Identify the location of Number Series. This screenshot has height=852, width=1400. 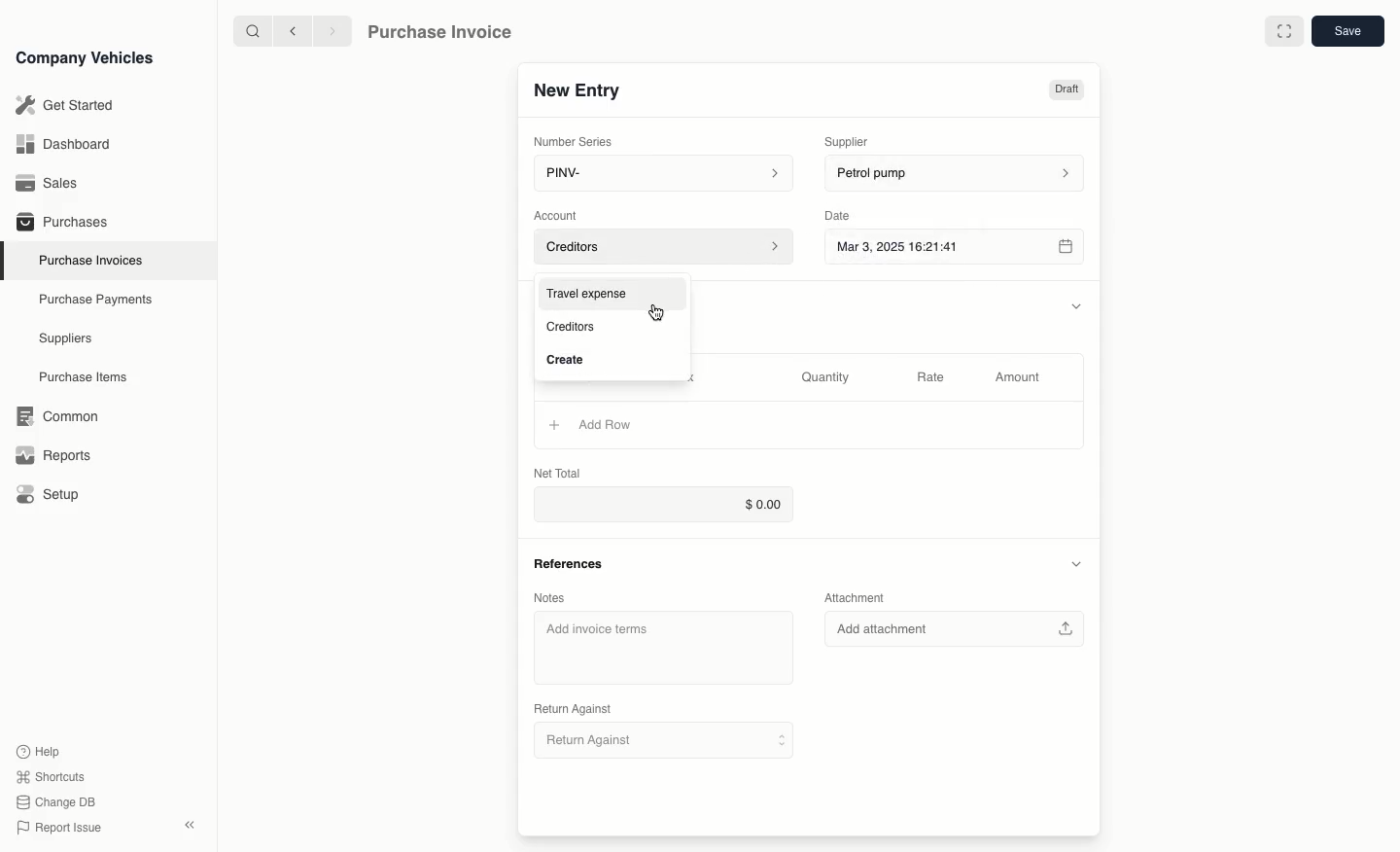
(579, 139).